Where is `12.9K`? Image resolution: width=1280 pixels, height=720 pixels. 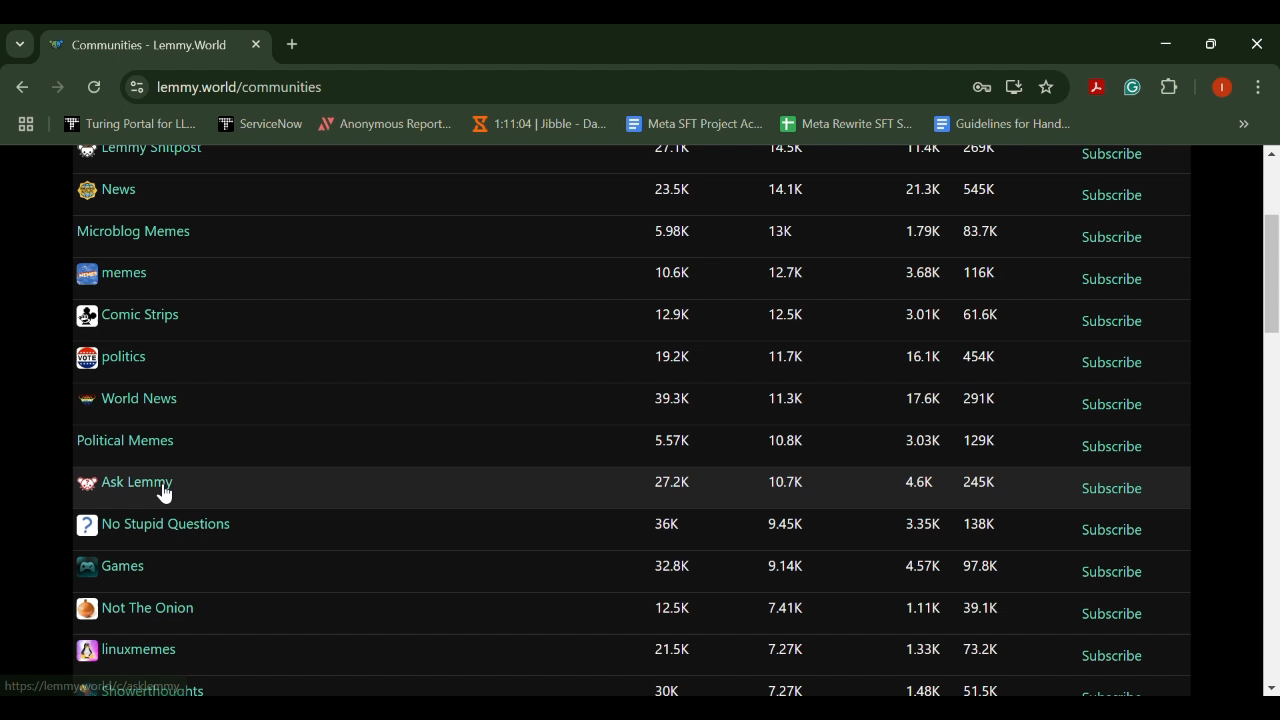
12.9K is located at coordinates (673, 313).